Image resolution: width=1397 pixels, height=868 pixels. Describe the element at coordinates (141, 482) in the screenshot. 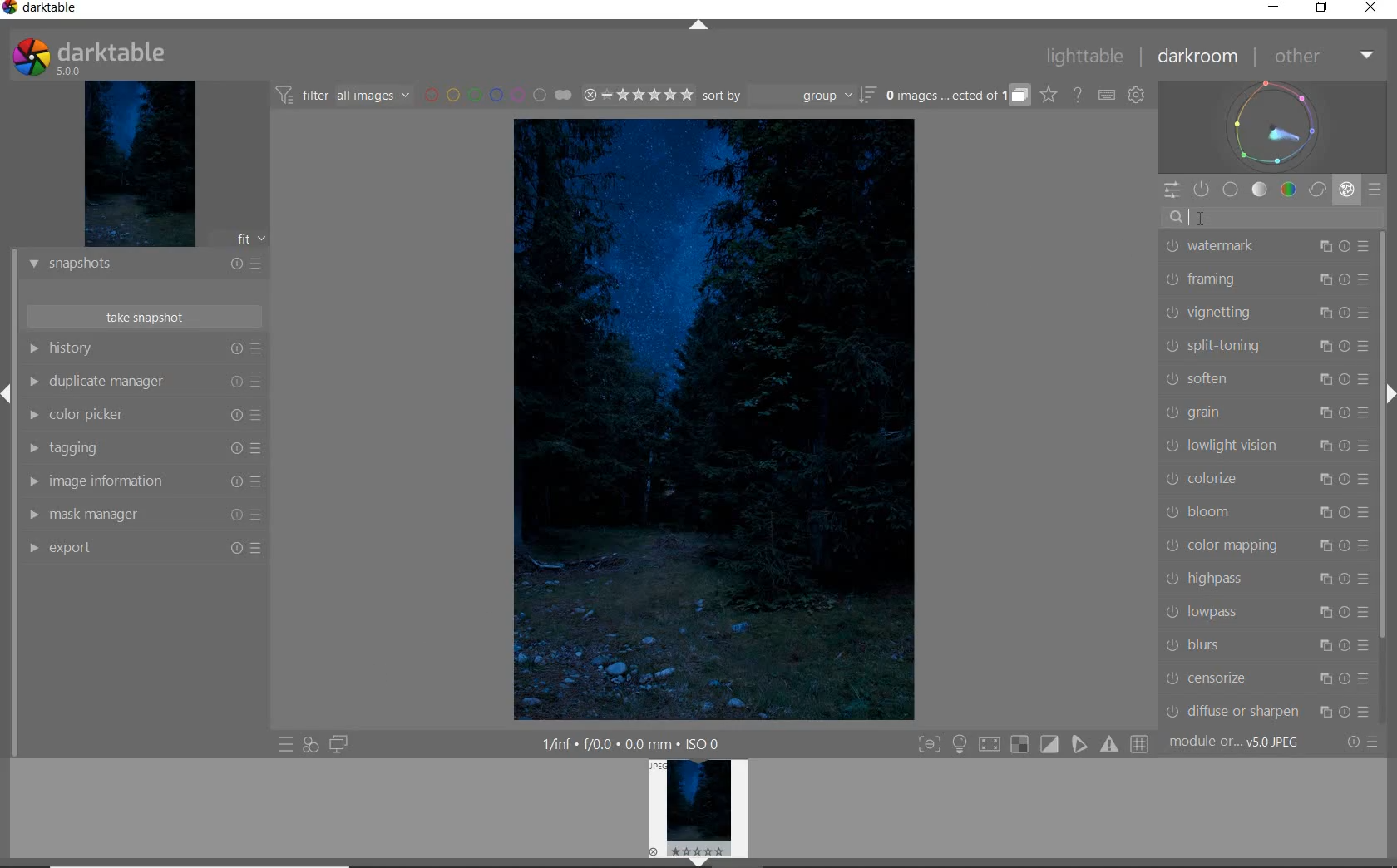

I see `IMAGE INFORMATION` at that location.